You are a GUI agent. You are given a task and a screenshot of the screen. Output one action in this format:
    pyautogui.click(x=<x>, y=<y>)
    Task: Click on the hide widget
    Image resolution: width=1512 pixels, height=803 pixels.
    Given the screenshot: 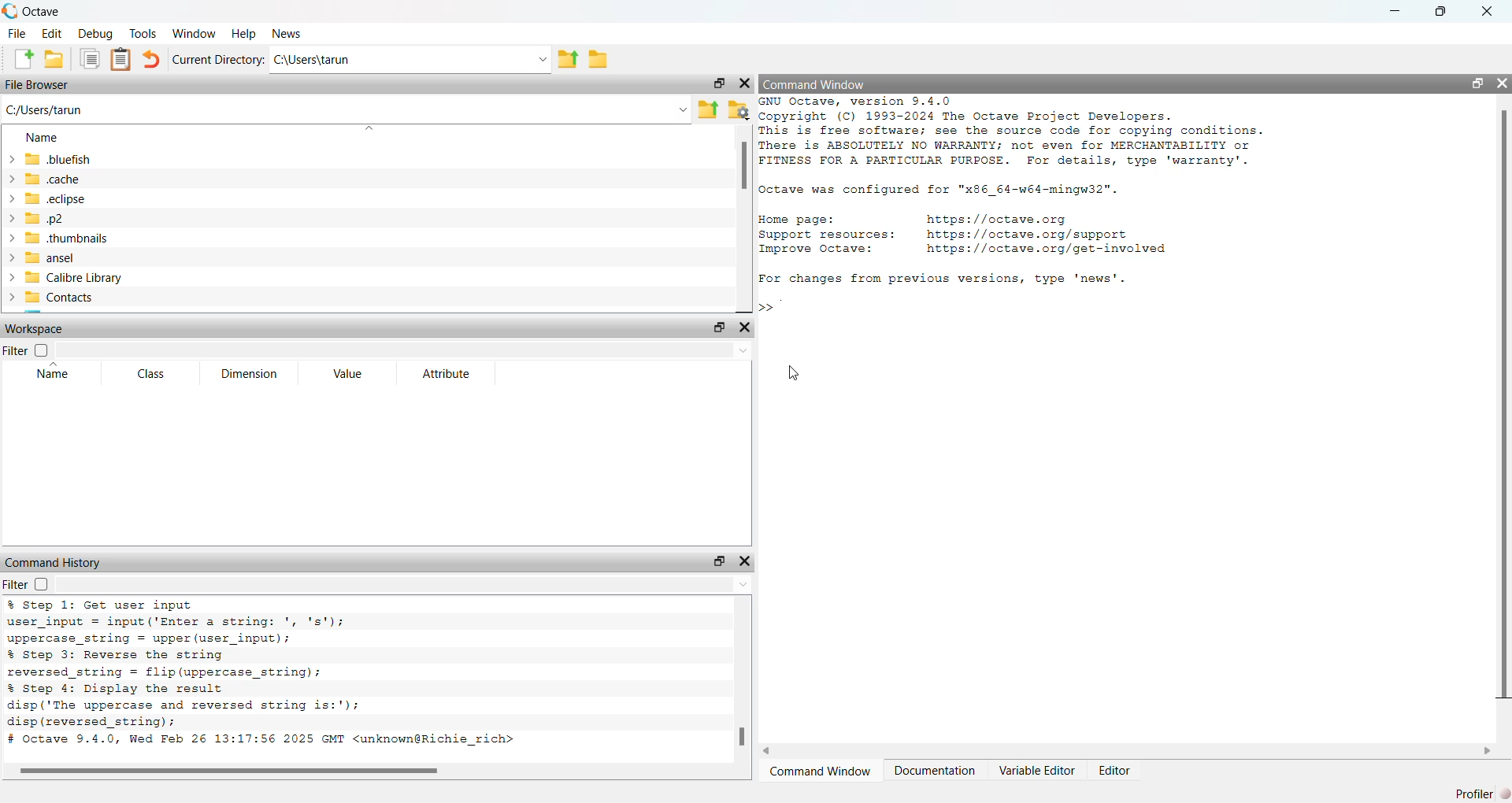 What is the action you would take?
    pyautogui.click(x=1503, y=82)
    